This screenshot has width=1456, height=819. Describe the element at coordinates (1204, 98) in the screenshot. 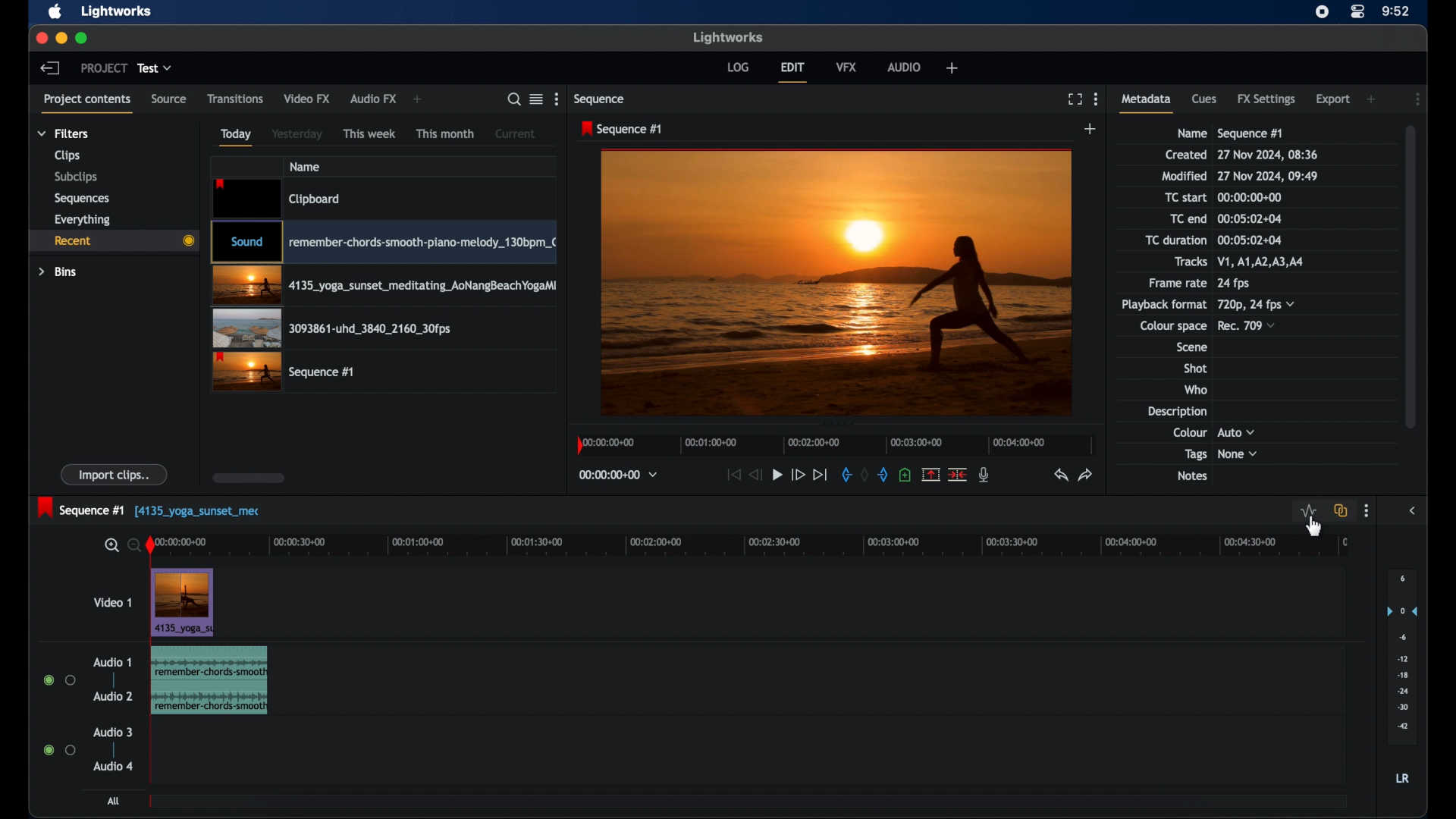

I see `cues` at that location.